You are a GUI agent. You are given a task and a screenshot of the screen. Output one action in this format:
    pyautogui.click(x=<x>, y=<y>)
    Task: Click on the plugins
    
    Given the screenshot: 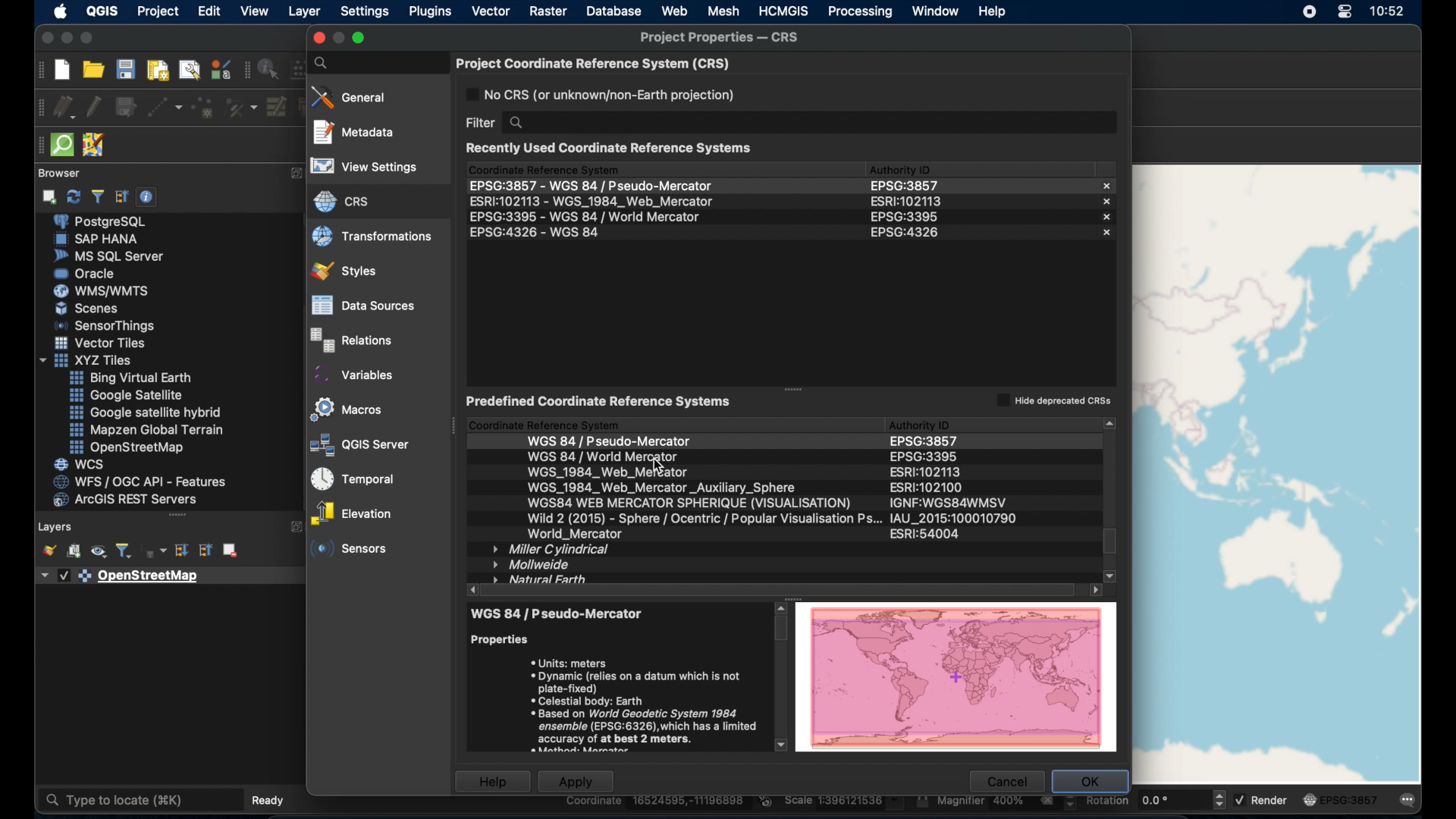 What is the action you would take?
    pyautogui.click(x=431, y=12)
    